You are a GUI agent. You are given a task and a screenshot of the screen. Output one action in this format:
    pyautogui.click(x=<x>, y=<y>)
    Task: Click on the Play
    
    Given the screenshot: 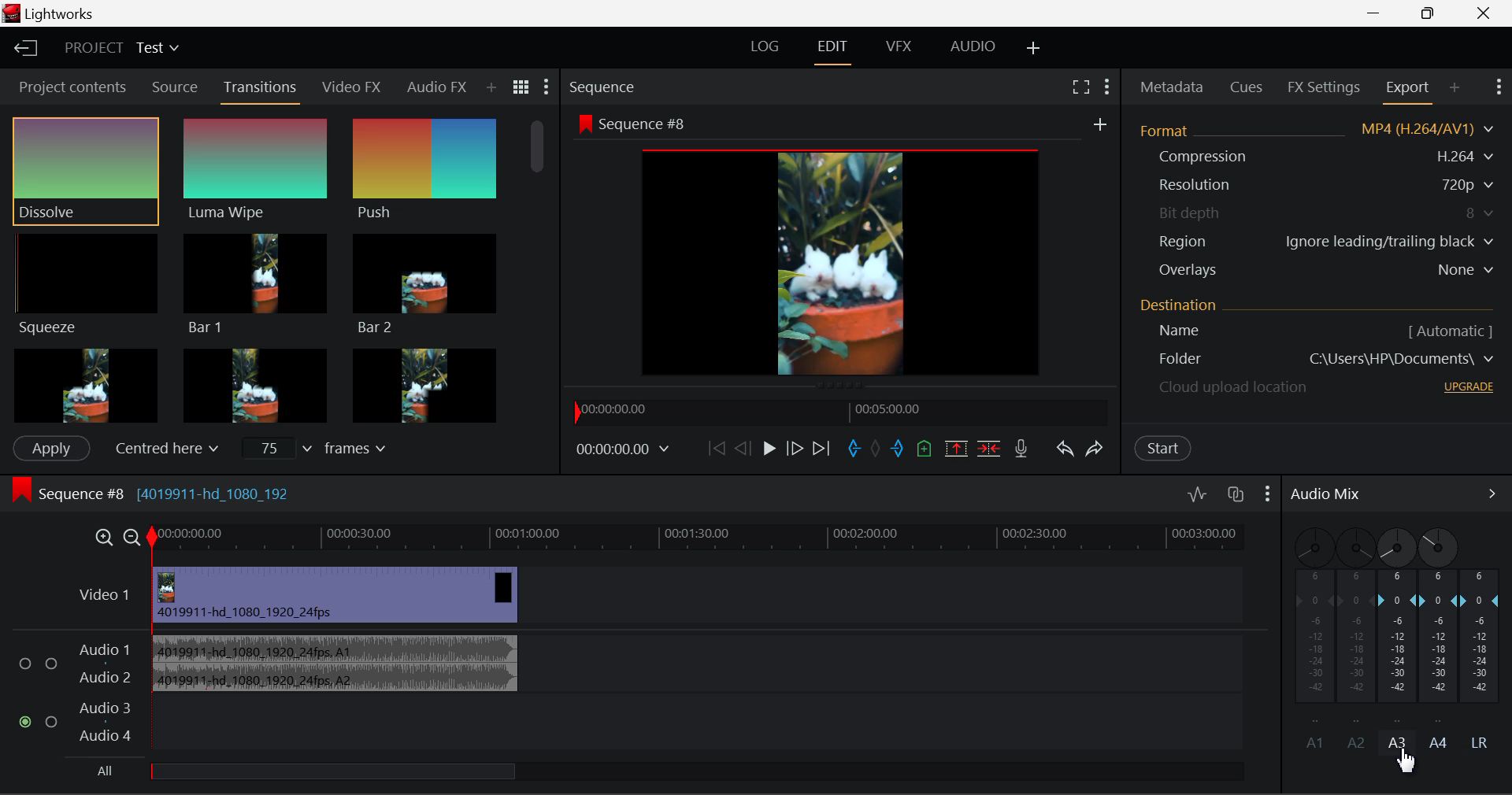 What is the action you would take?
    pyautogui.click(x=766, y=449)
    